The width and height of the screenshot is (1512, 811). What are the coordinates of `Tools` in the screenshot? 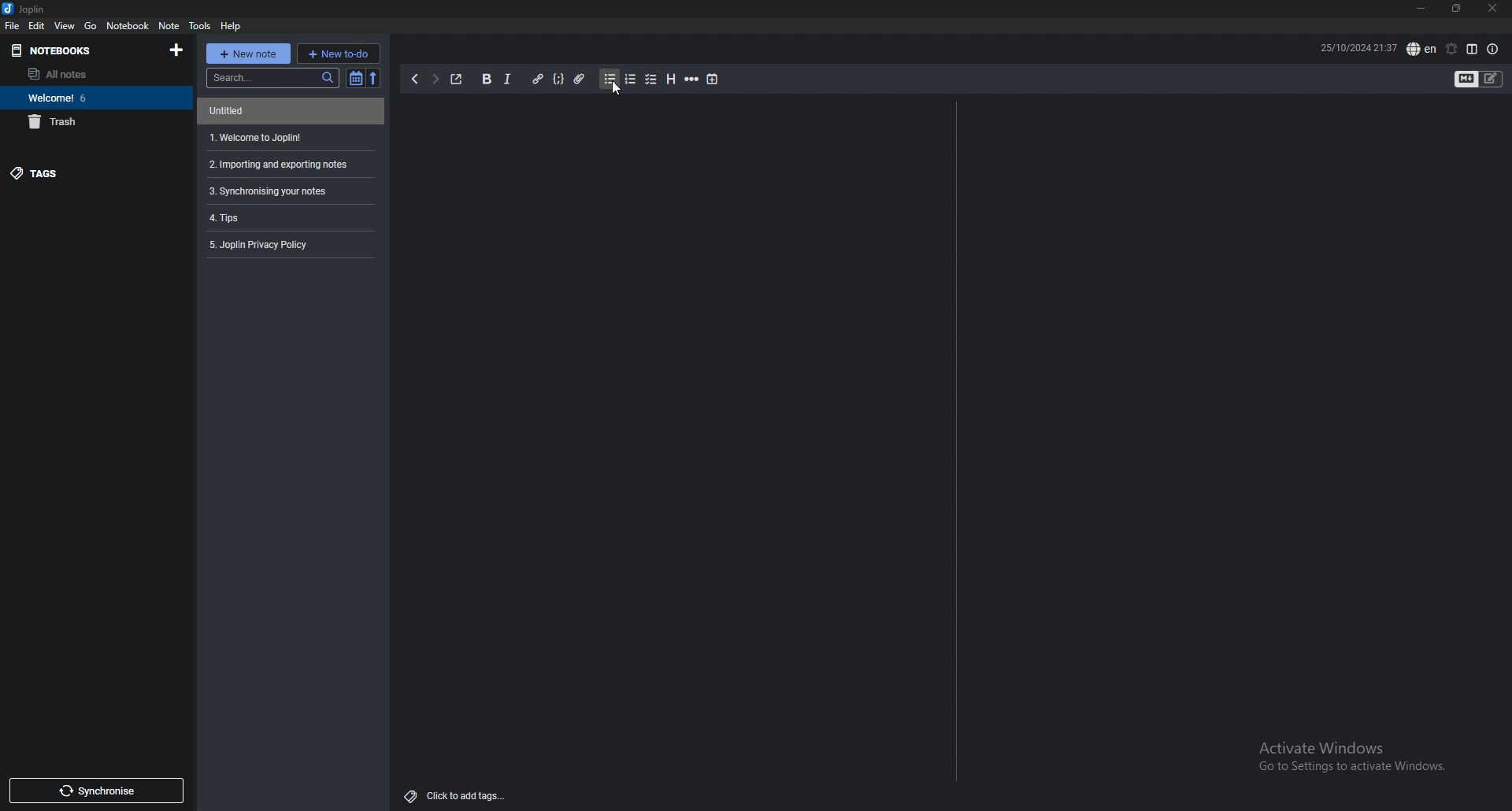 It's located at (199, 25).